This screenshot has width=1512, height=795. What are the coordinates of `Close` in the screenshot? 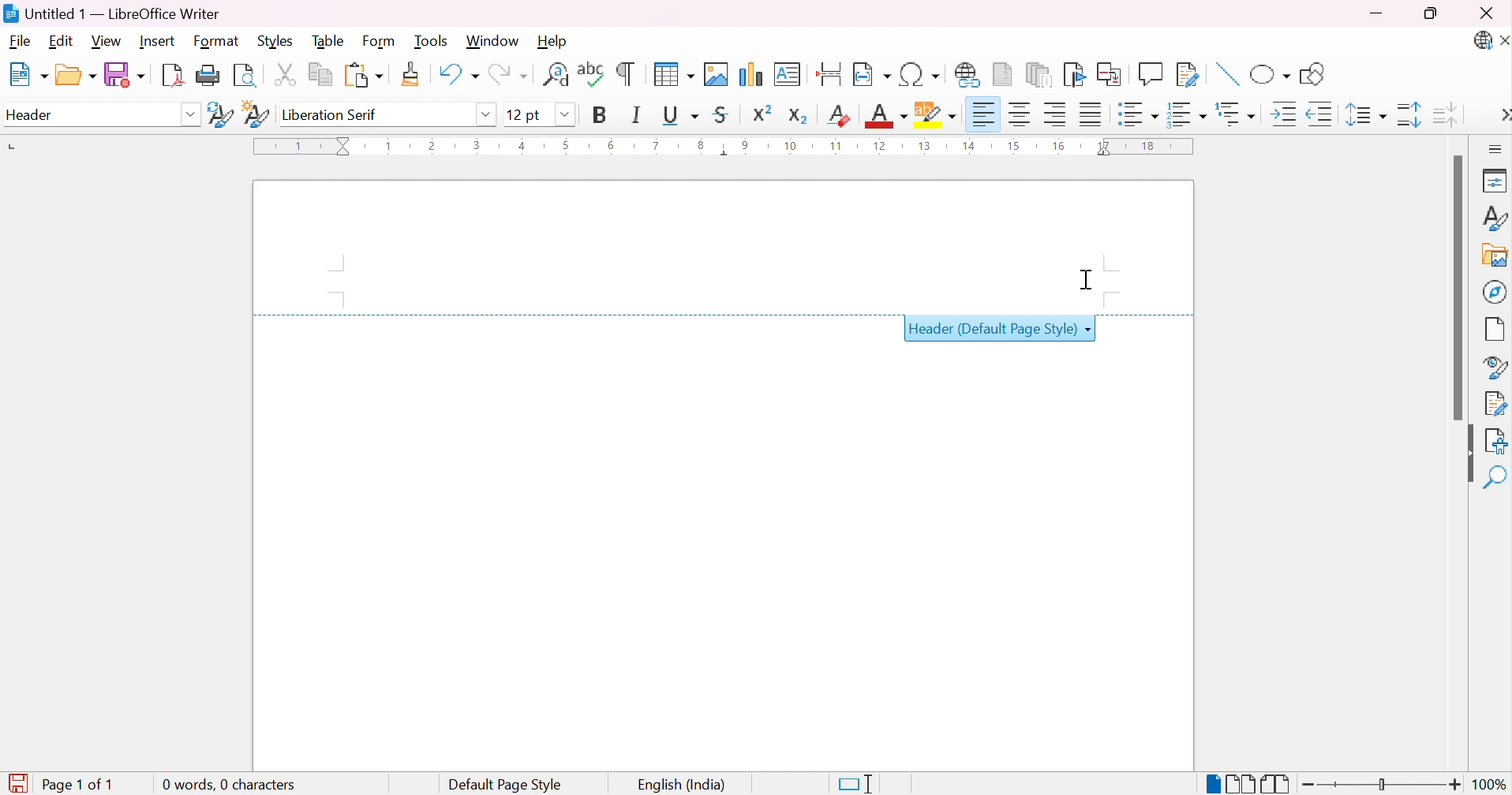 It's located at (1488, 16).